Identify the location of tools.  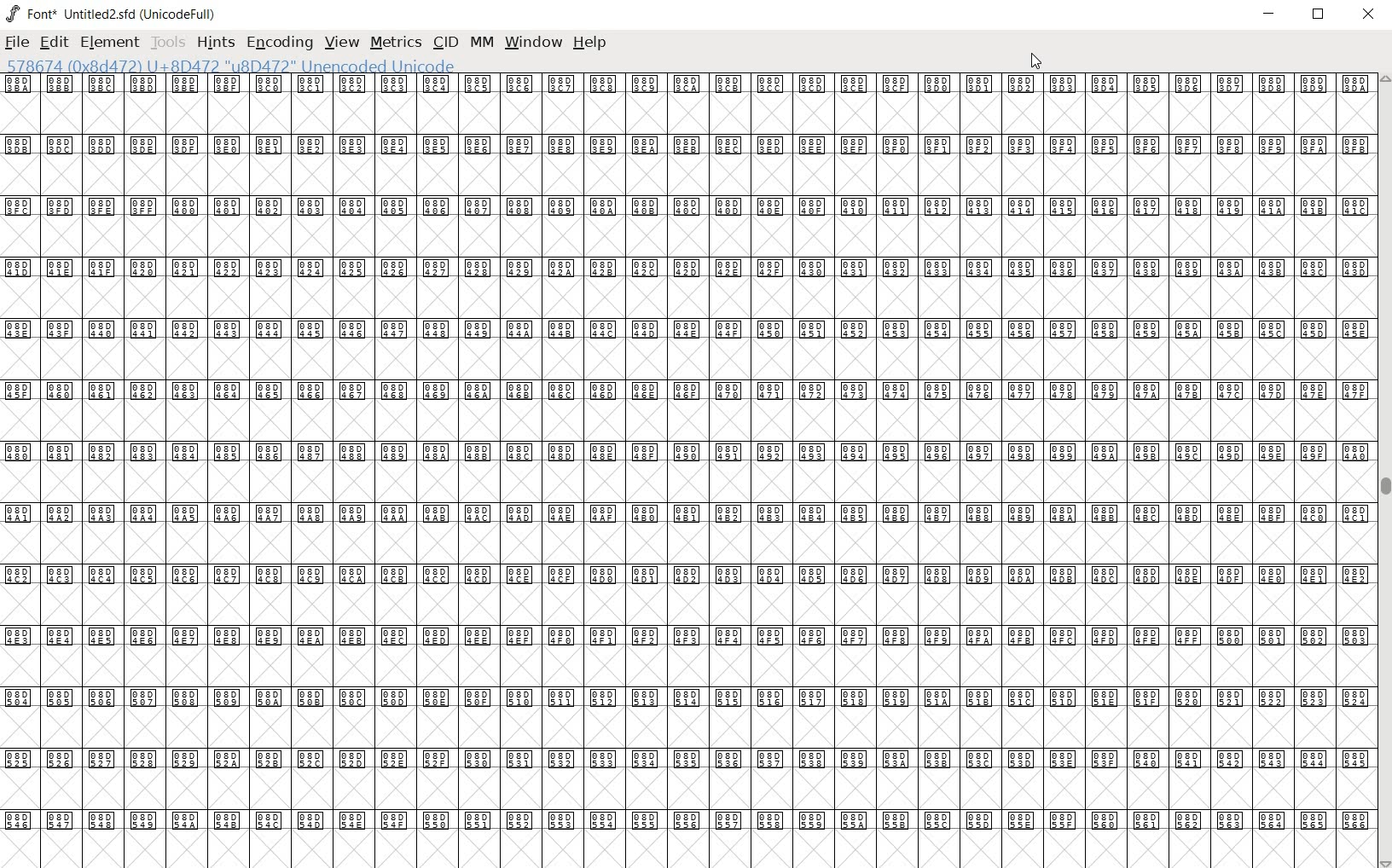
(167, 43).